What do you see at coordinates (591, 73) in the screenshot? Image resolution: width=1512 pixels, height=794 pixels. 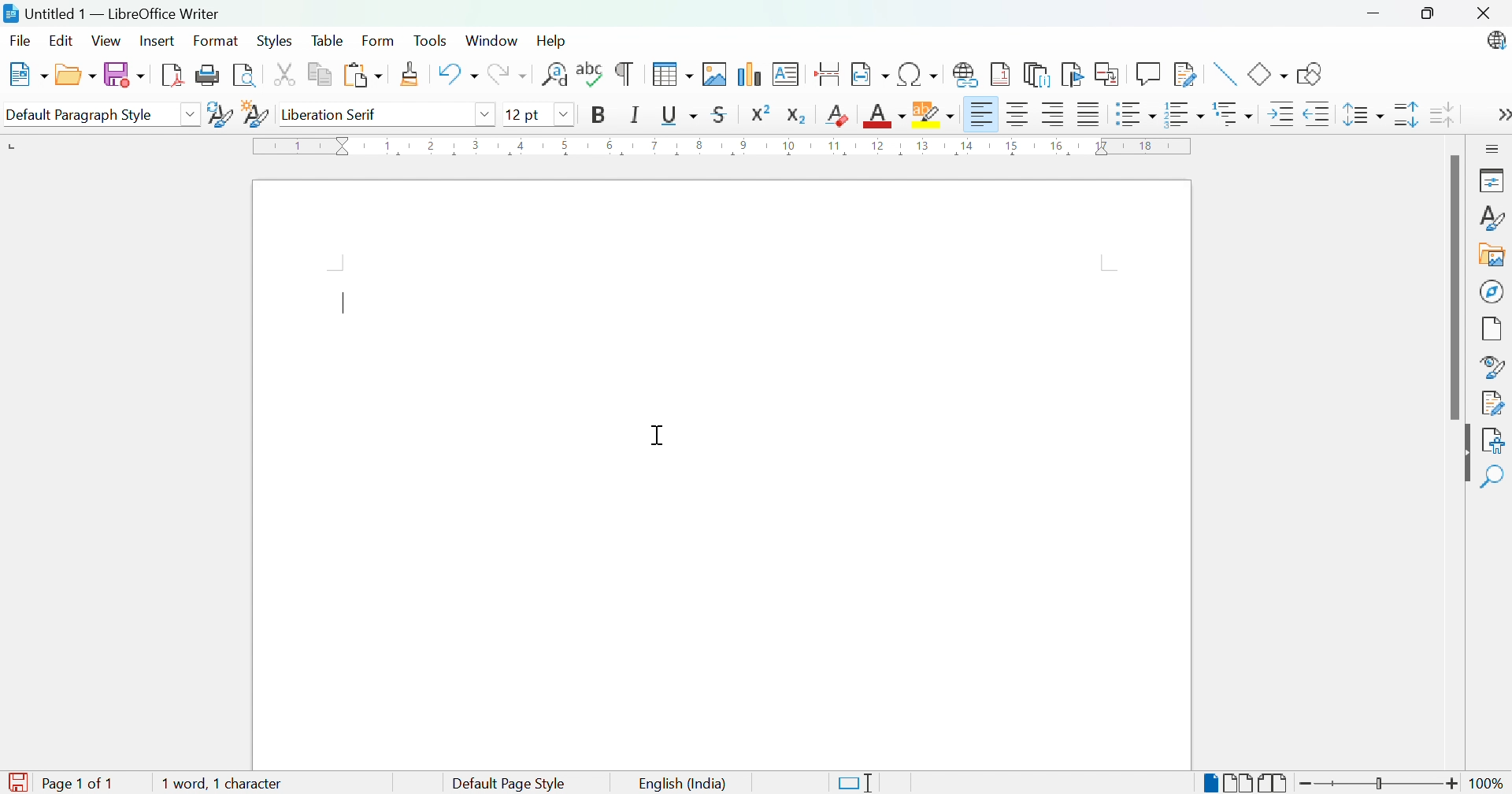 I see `Check spelling` at bounding box center [591, 73].